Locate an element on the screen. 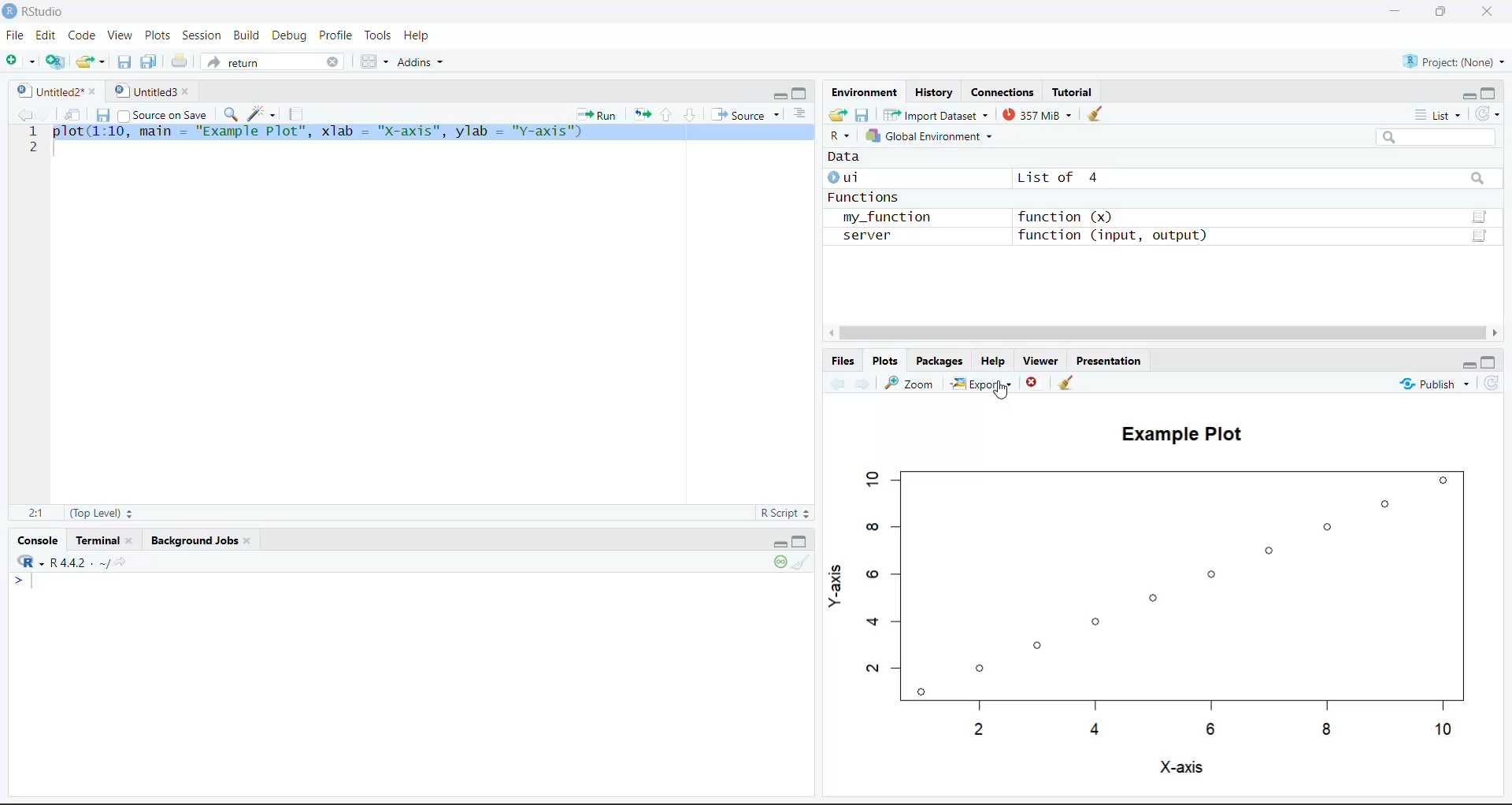 The image size is (1512, 805). Source on Save is located at coordinates (163, 113).